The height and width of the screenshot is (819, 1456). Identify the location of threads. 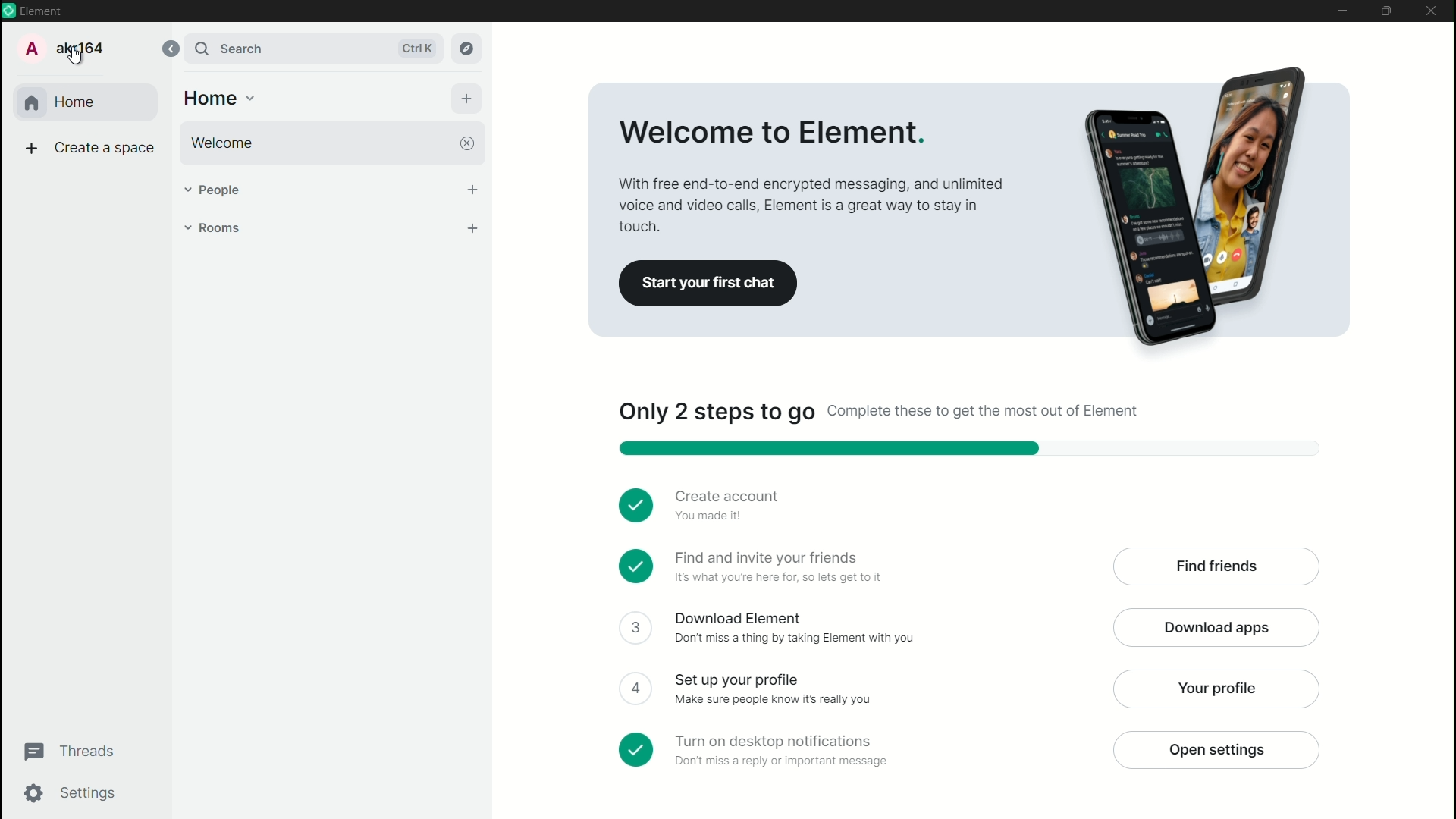
(71, 752).